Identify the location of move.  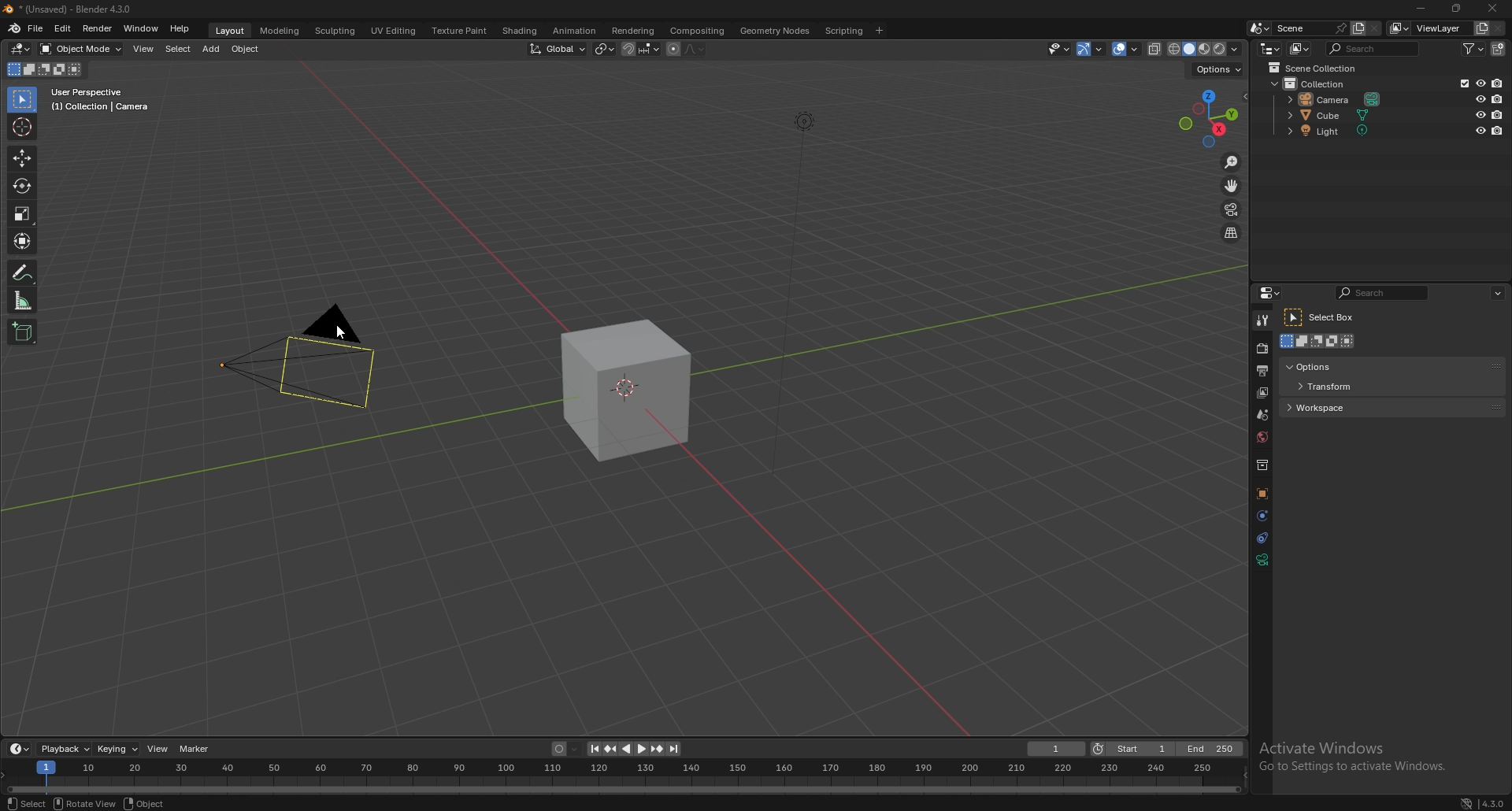
(1231, 185).